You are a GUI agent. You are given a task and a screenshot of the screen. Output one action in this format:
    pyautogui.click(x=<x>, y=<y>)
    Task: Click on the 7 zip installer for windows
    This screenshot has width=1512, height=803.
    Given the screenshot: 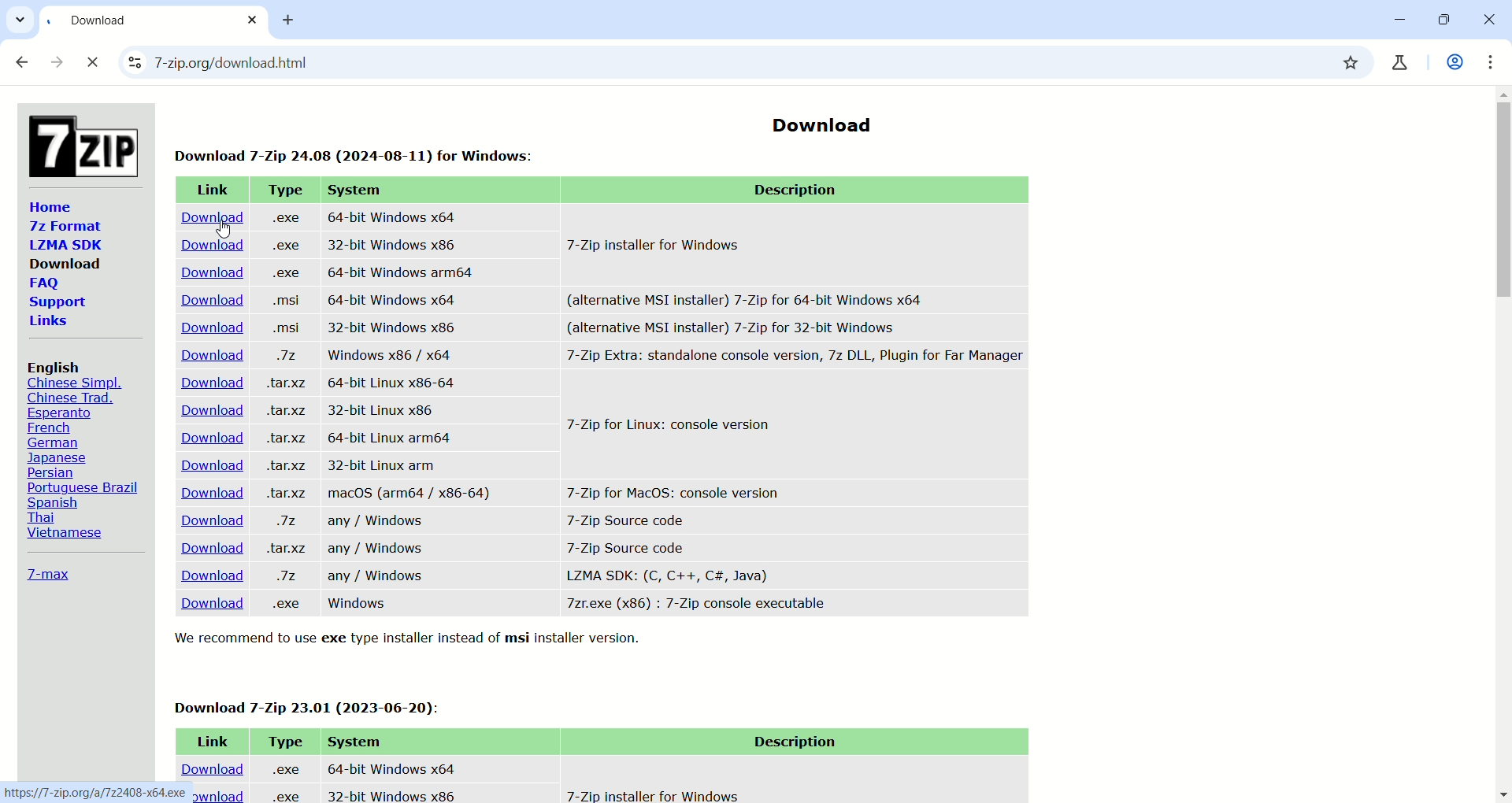 What is the action you would take?
    pyautogui.click(x=650, y=794)
    